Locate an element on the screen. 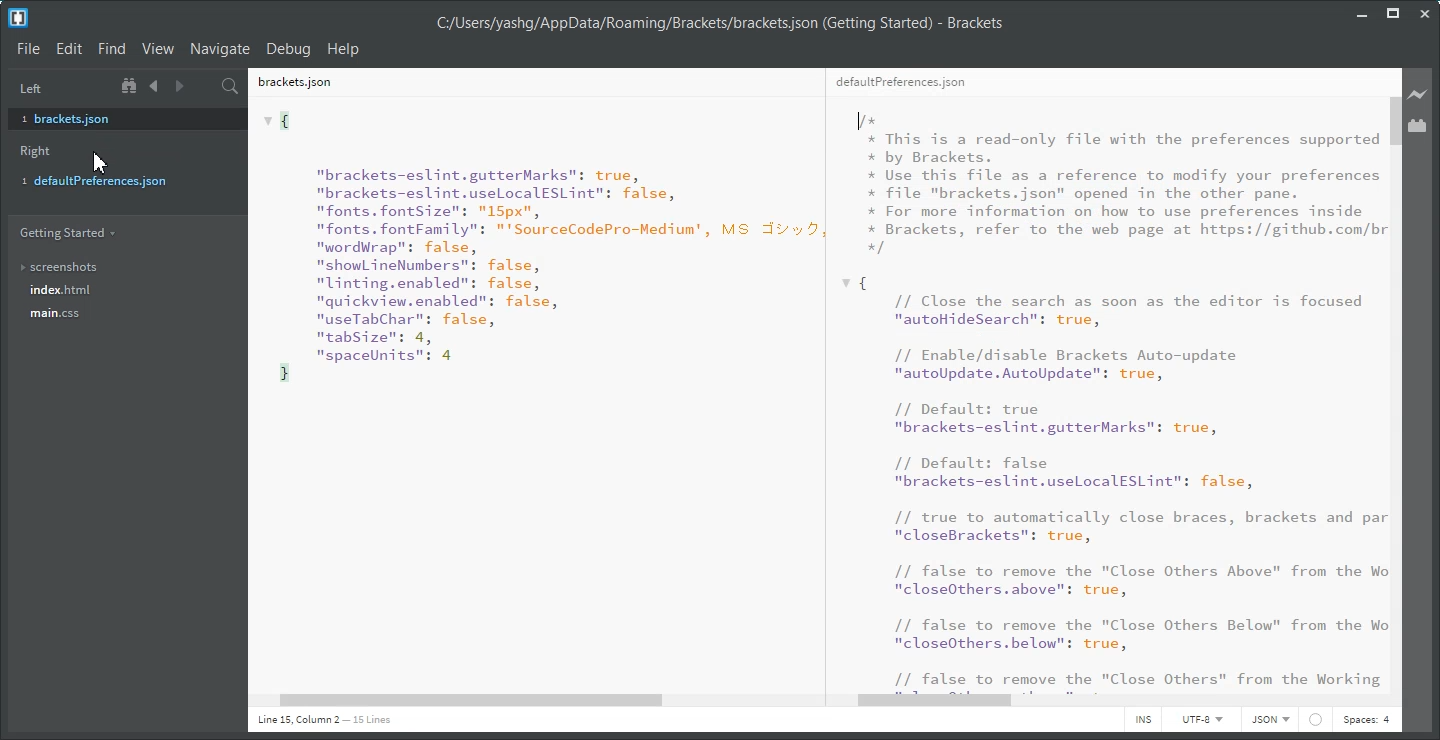  Text is located at coordinates (529, 393).